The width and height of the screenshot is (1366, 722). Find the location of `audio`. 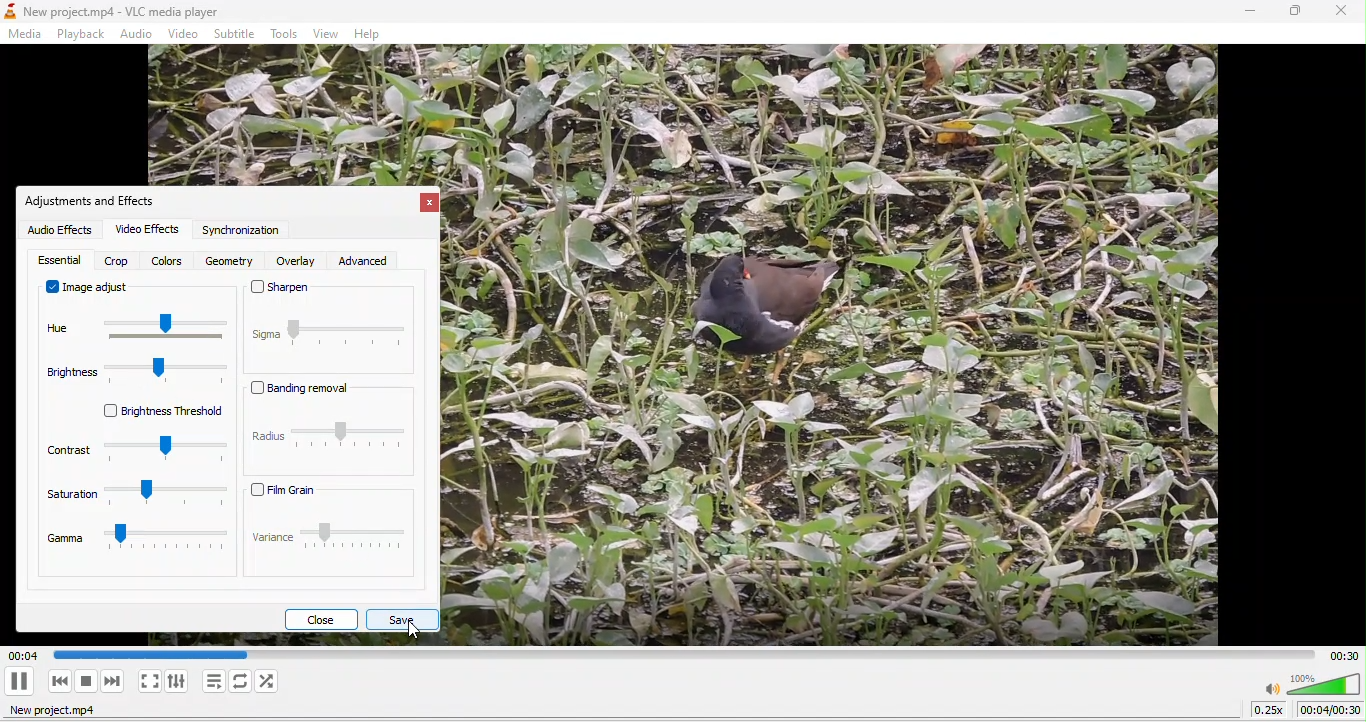

audio is located at coordinates (139, 34).